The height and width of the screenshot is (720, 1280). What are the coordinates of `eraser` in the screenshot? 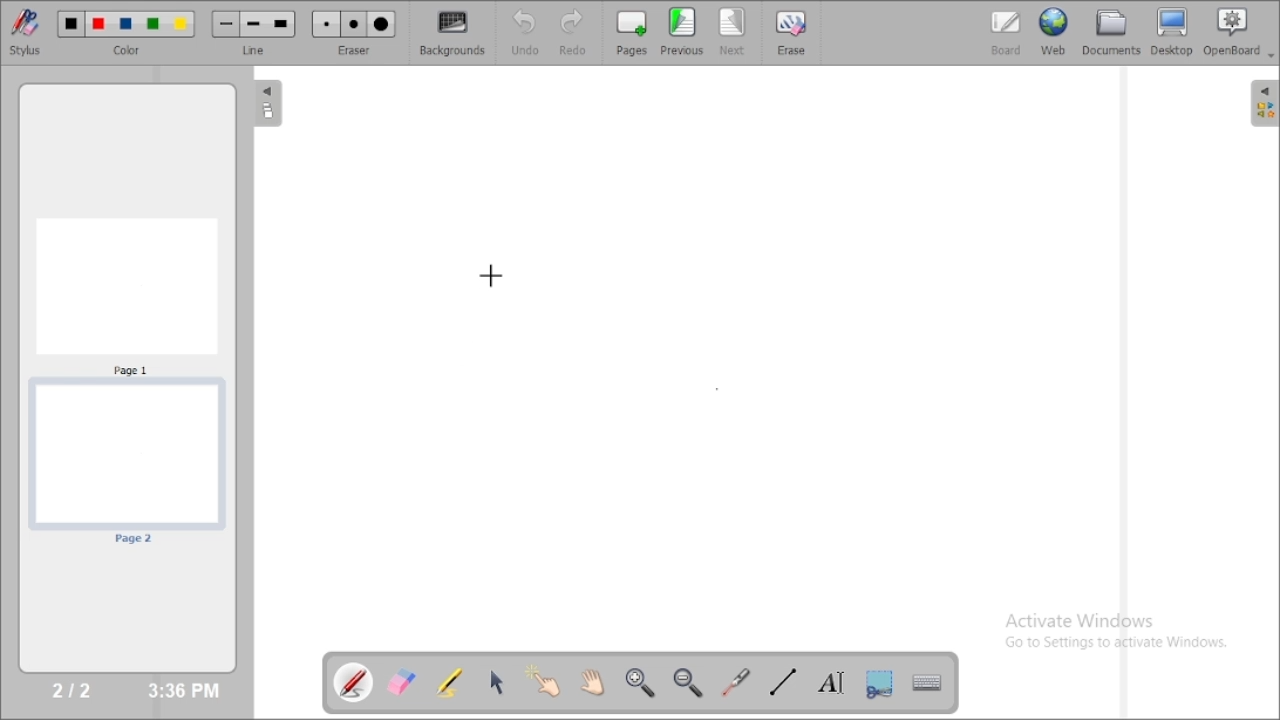 It's located at (354, 50).